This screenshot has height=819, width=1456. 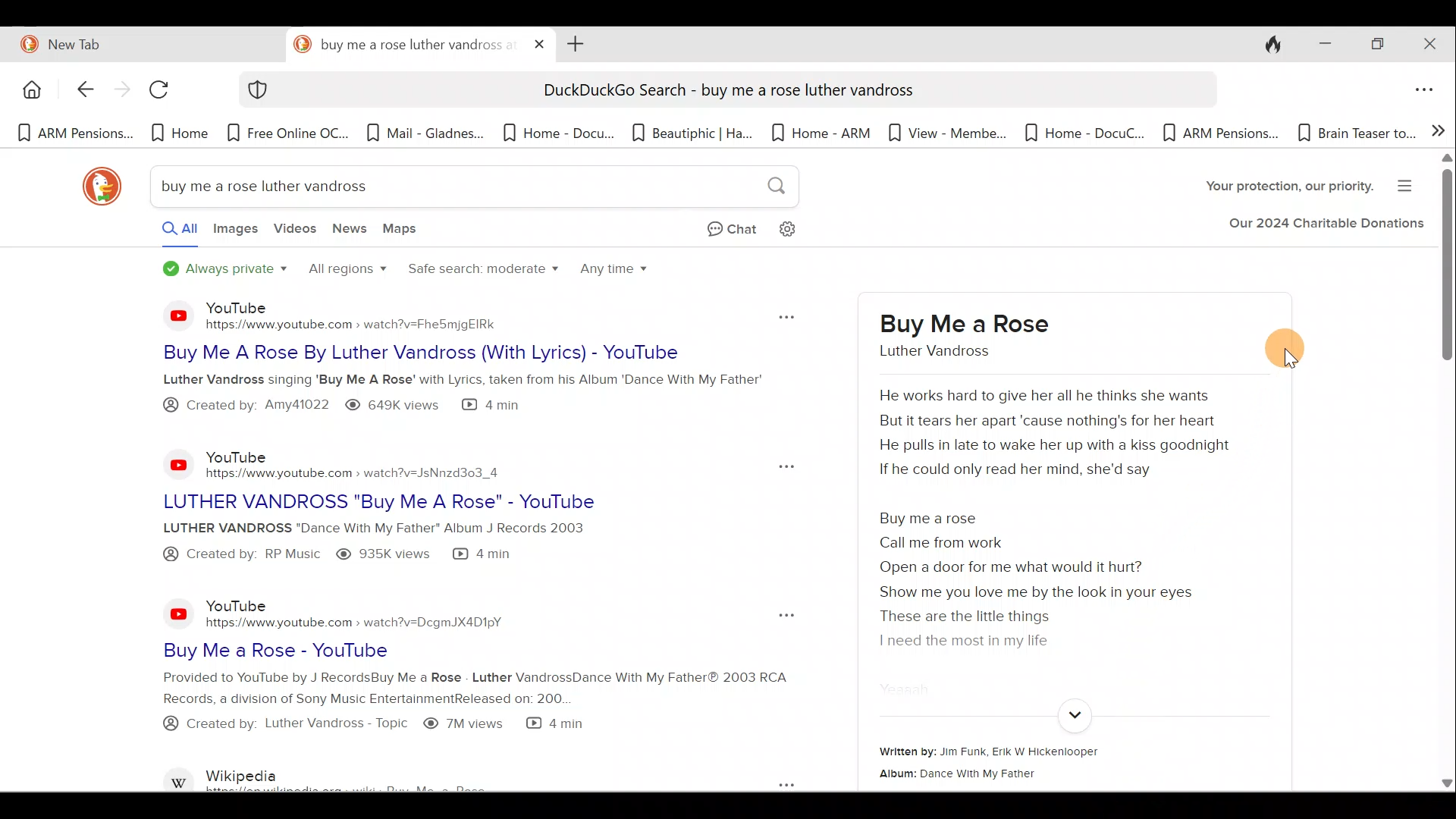 What do you see at coordinates (783, 314) in the screenshot?
I see `Pop out` at bounding box center [783, 314].